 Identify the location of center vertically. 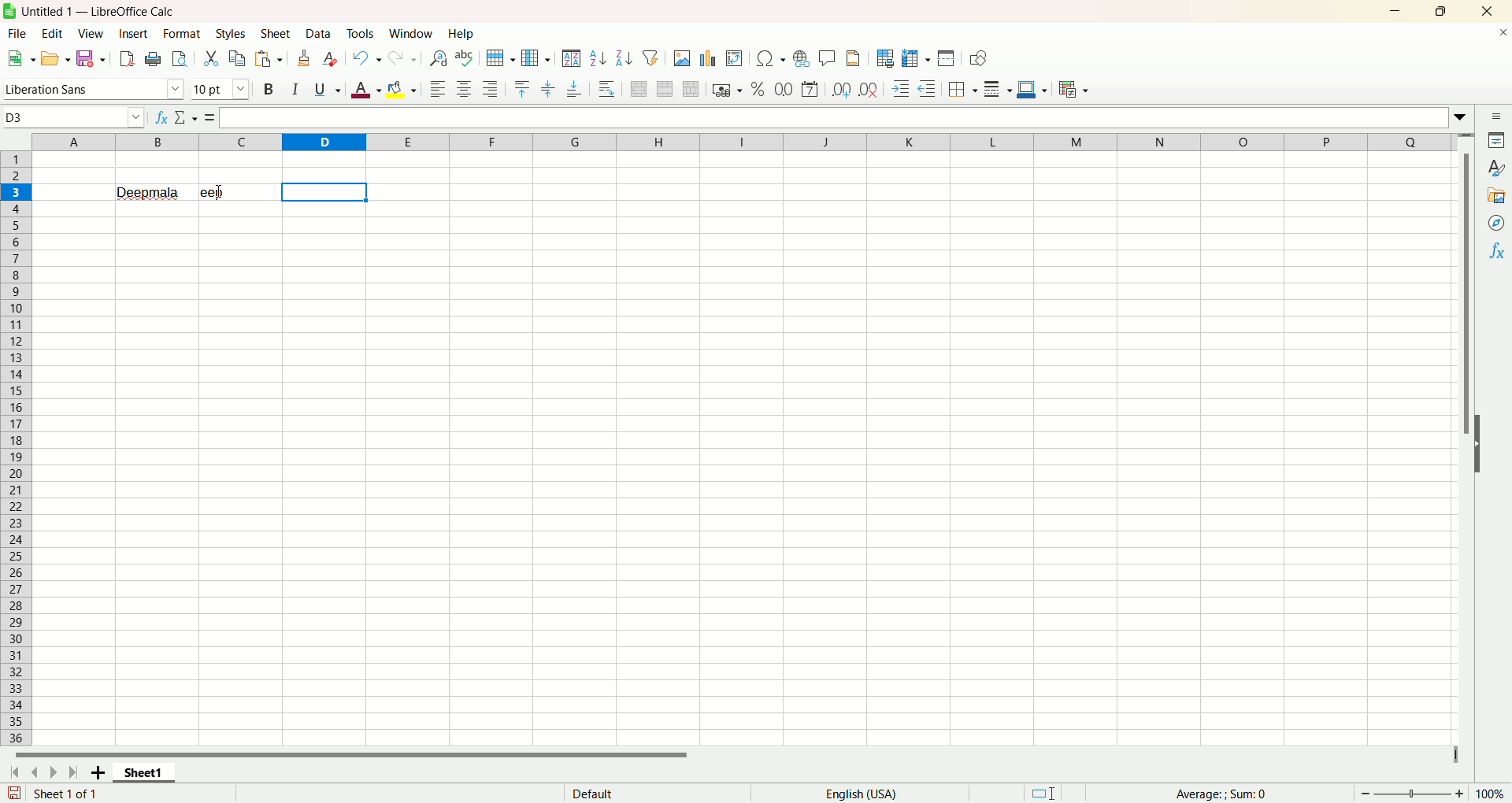
(547, 90).